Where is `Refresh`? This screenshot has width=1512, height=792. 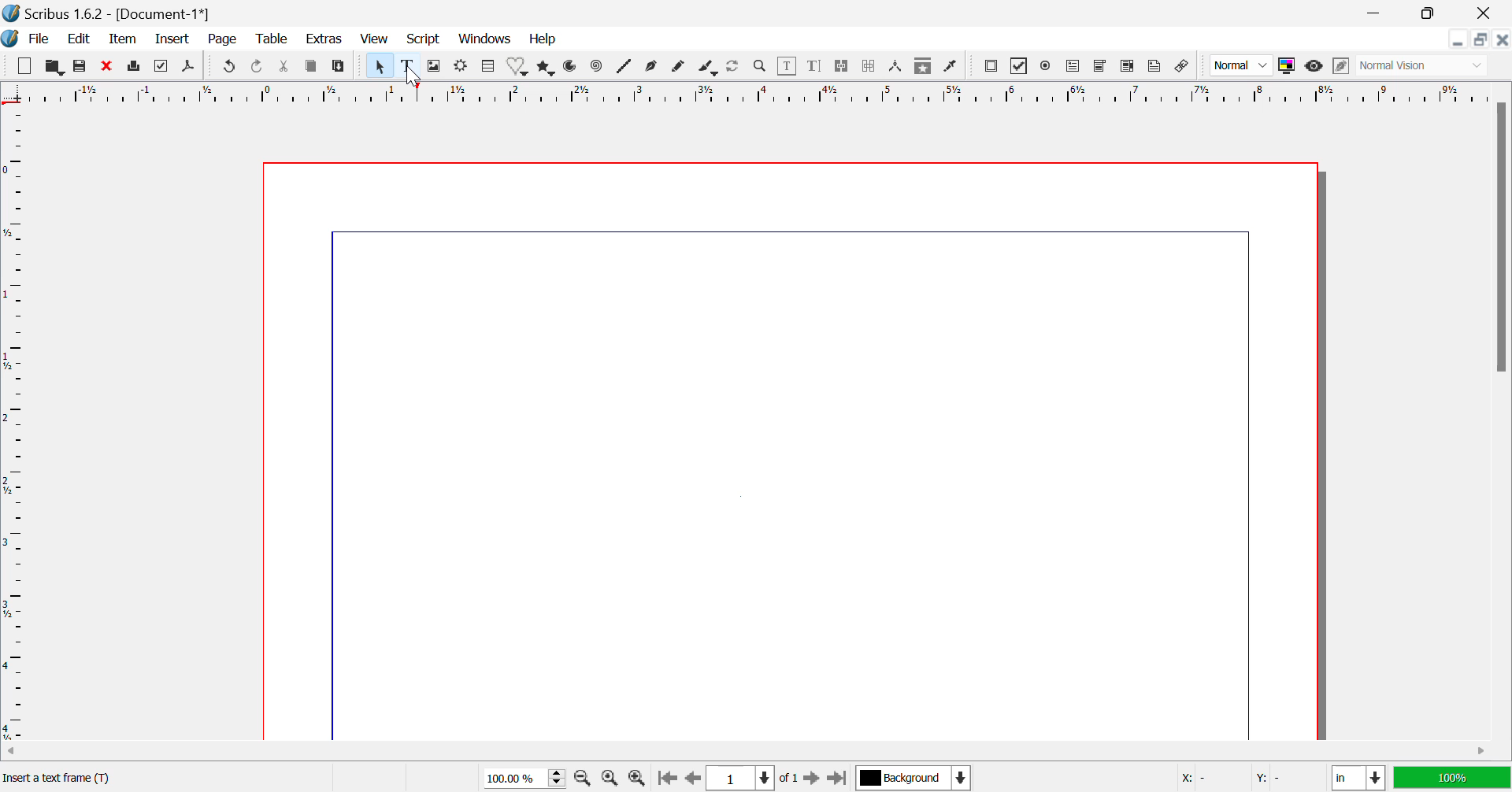
Refresh is located at coordinates (736, 68).